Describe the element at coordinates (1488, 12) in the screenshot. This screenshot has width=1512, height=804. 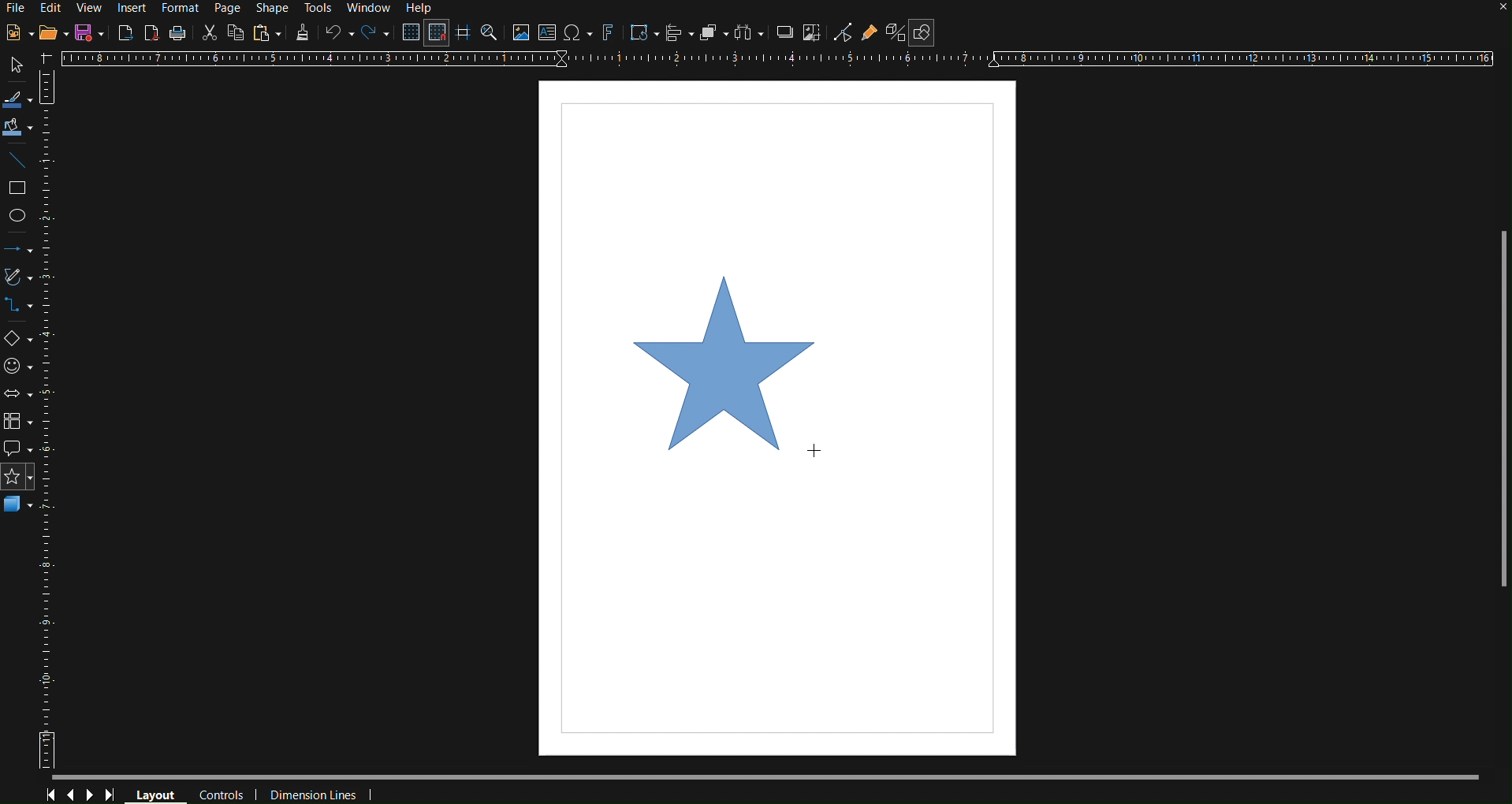
I see `close` at that location.